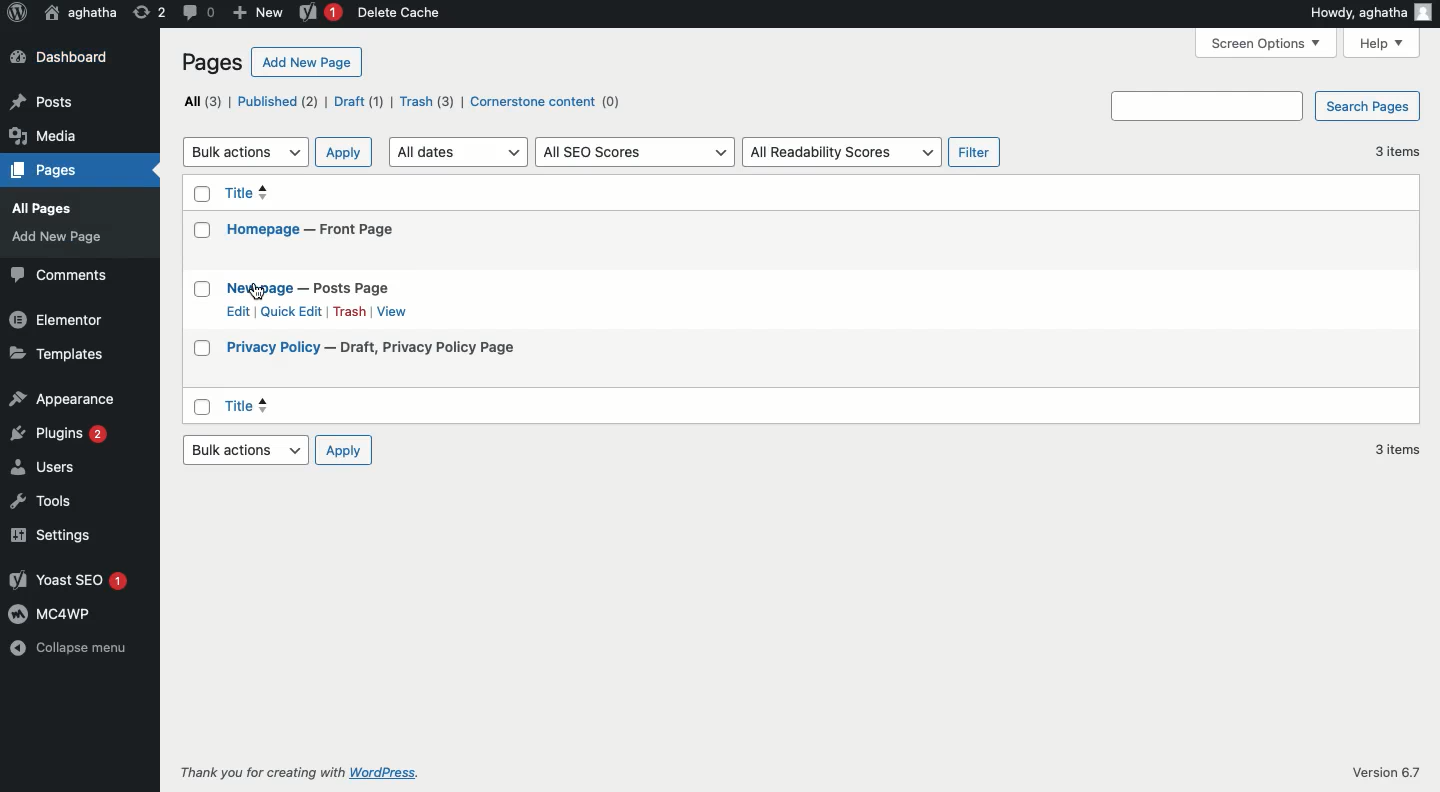  Describe the element at coordinates (39, 502) in the screenshot. I see `Tools` at that location.